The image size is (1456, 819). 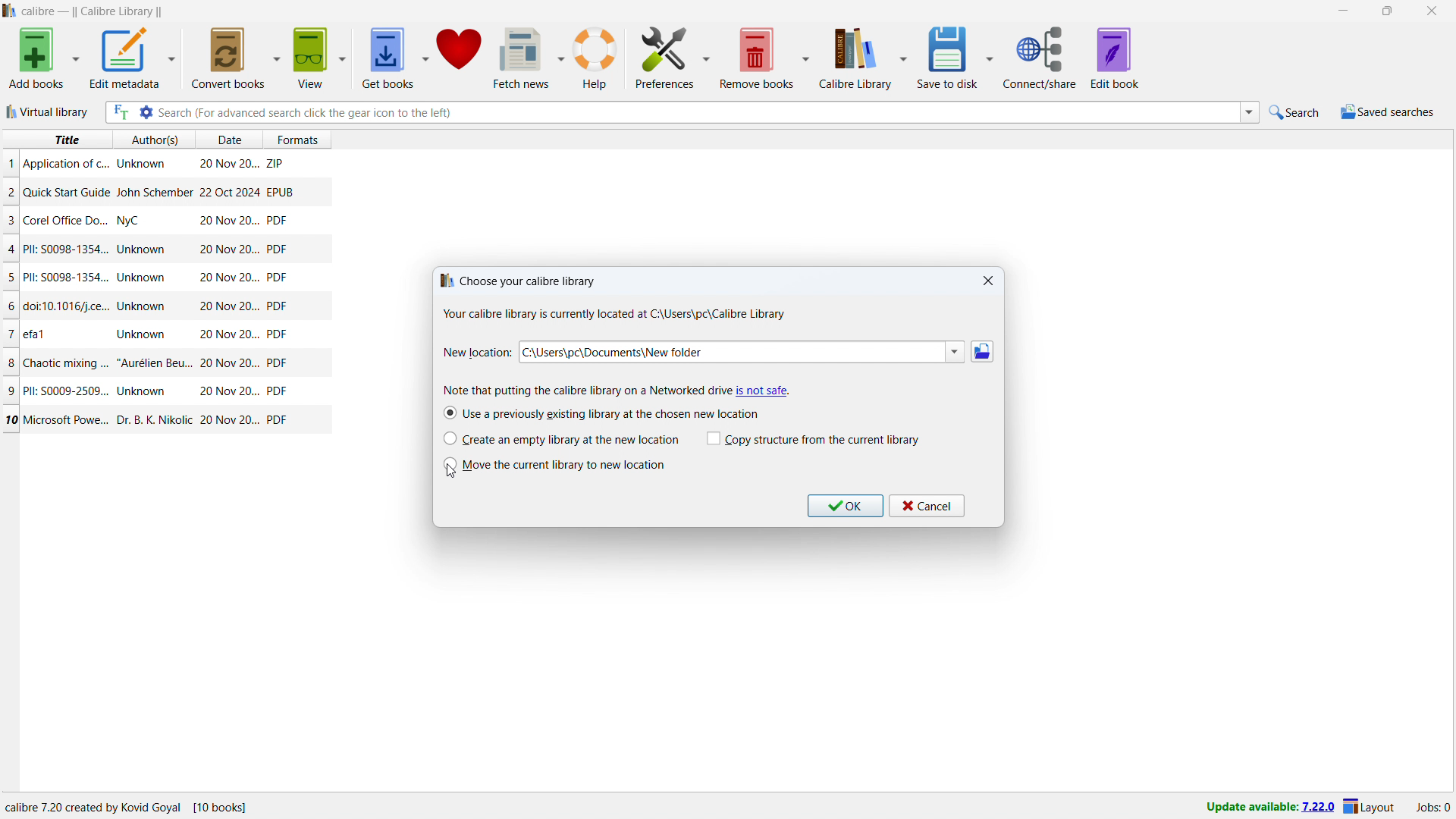 What do you see at coordinates (991, 55) in the screenshot?
I see `save to disk options` at bounding box center [991, 55].